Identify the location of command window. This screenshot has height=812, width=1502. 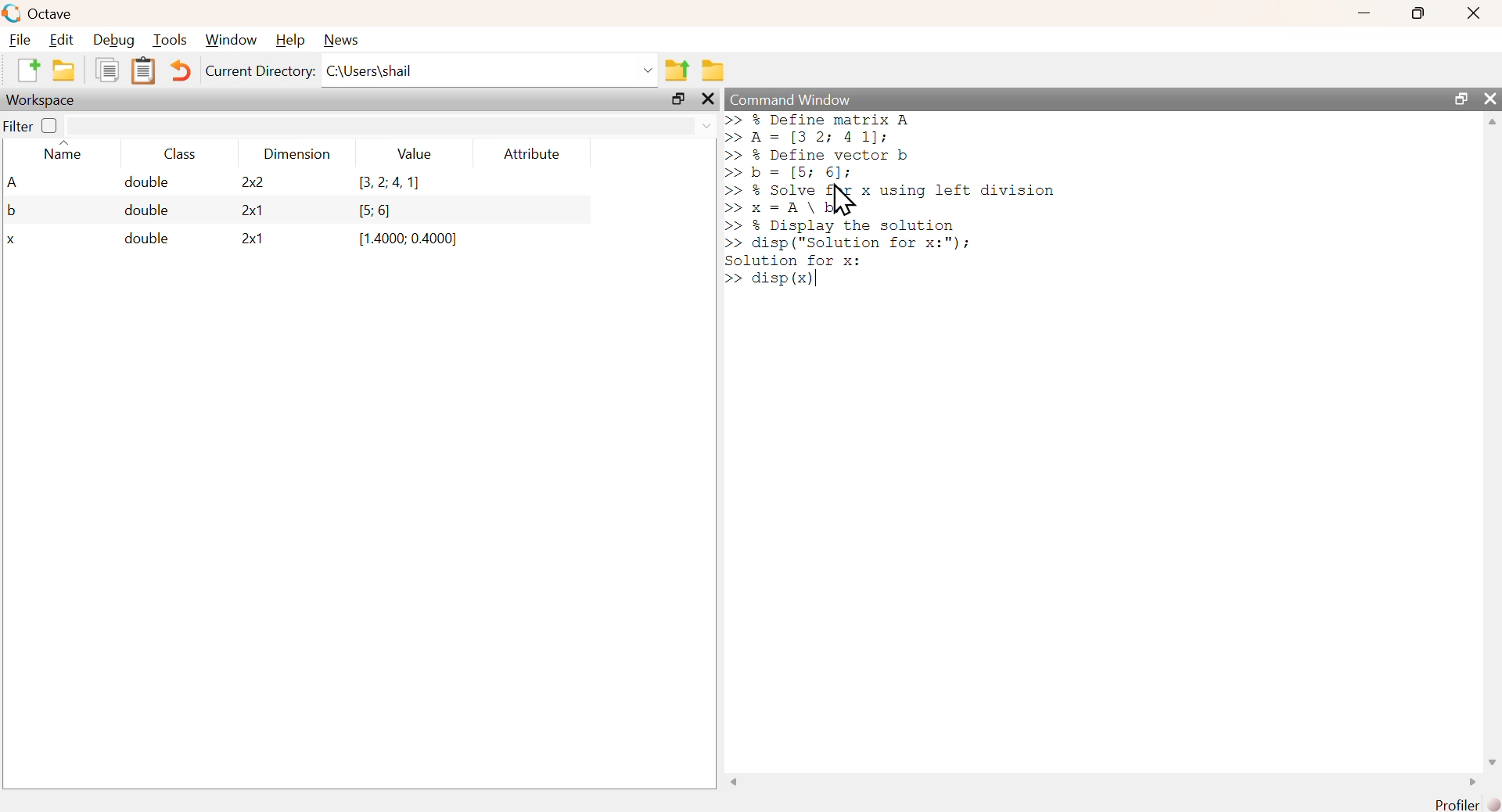
(792, 99).